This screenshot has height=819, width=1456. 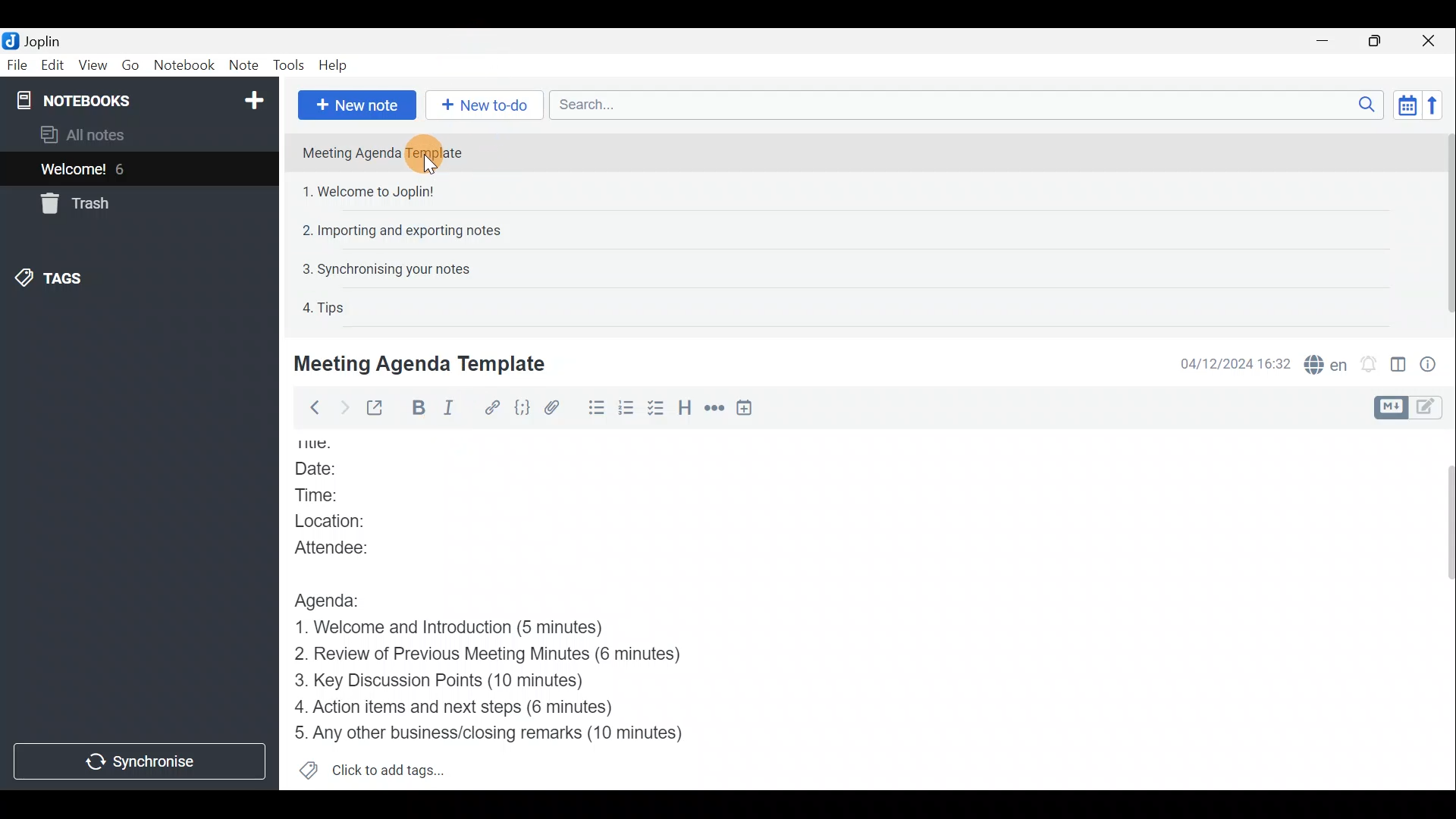 What do you see at coordinates (286, 63) in the screenshot?
I see `Tools` at bounding box center [286, 63].